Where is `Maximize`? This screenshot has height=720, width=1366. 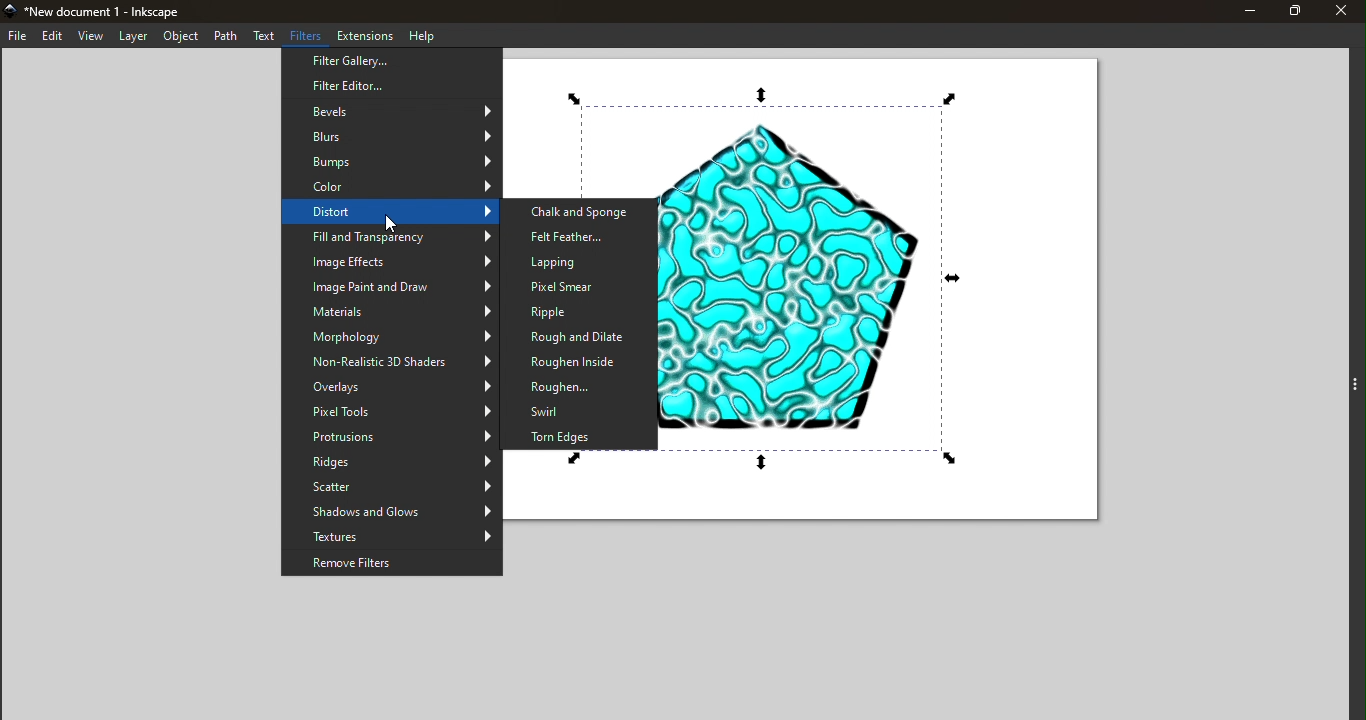
Maximize is located at coordinates (1295, 11).